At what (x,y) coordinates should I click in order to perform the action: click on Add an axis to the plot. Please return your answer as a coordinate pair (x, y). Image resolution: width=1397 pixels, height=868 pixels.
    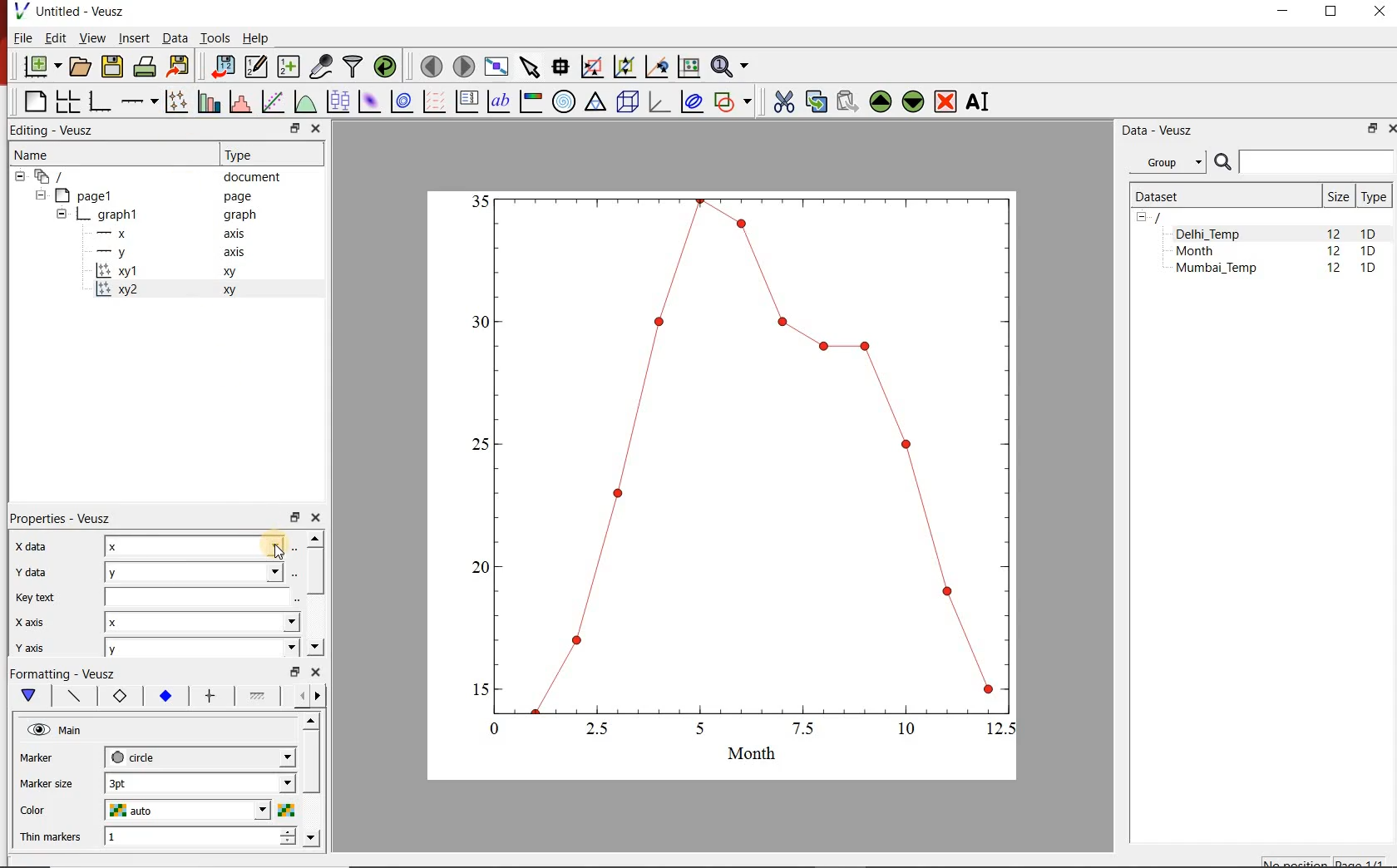
    Looking at the image, I should click on (137, 101).